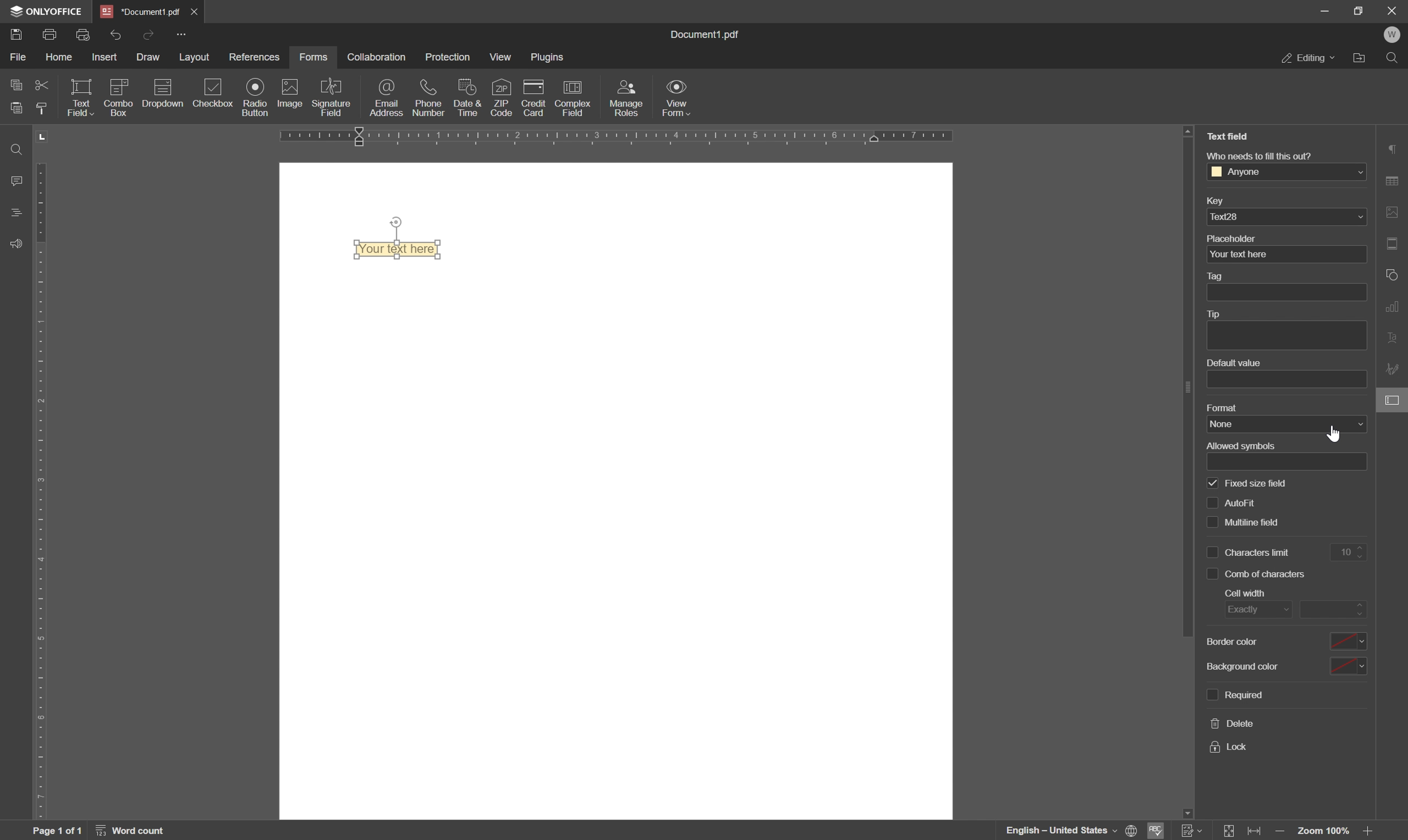 This screenshot has height=840, width=1408. I want to click on minimize, so click(1325, 11).